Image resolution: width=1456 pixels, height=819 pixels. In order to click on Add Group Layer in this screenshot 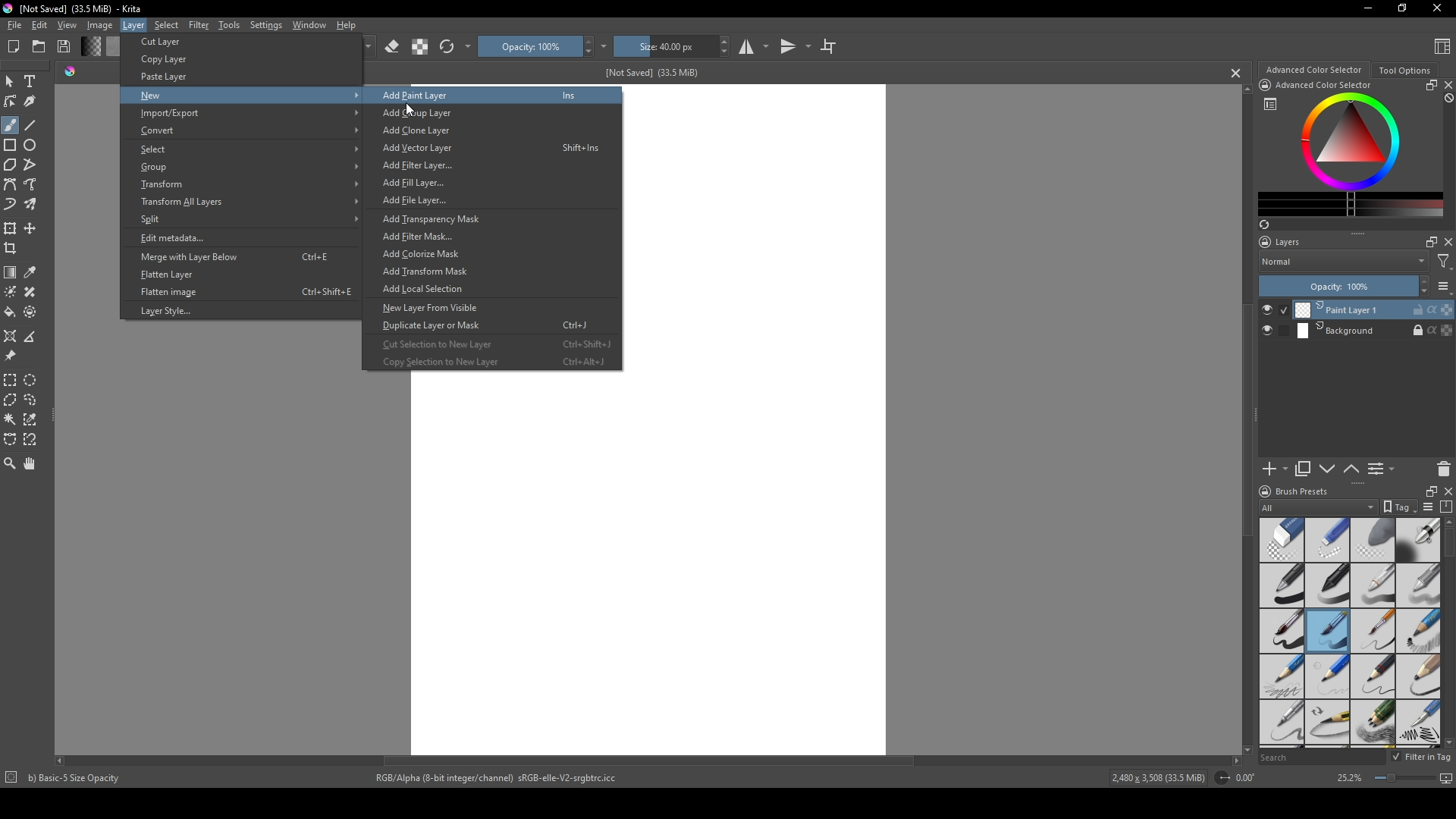, I will do `click(422, 114)`.